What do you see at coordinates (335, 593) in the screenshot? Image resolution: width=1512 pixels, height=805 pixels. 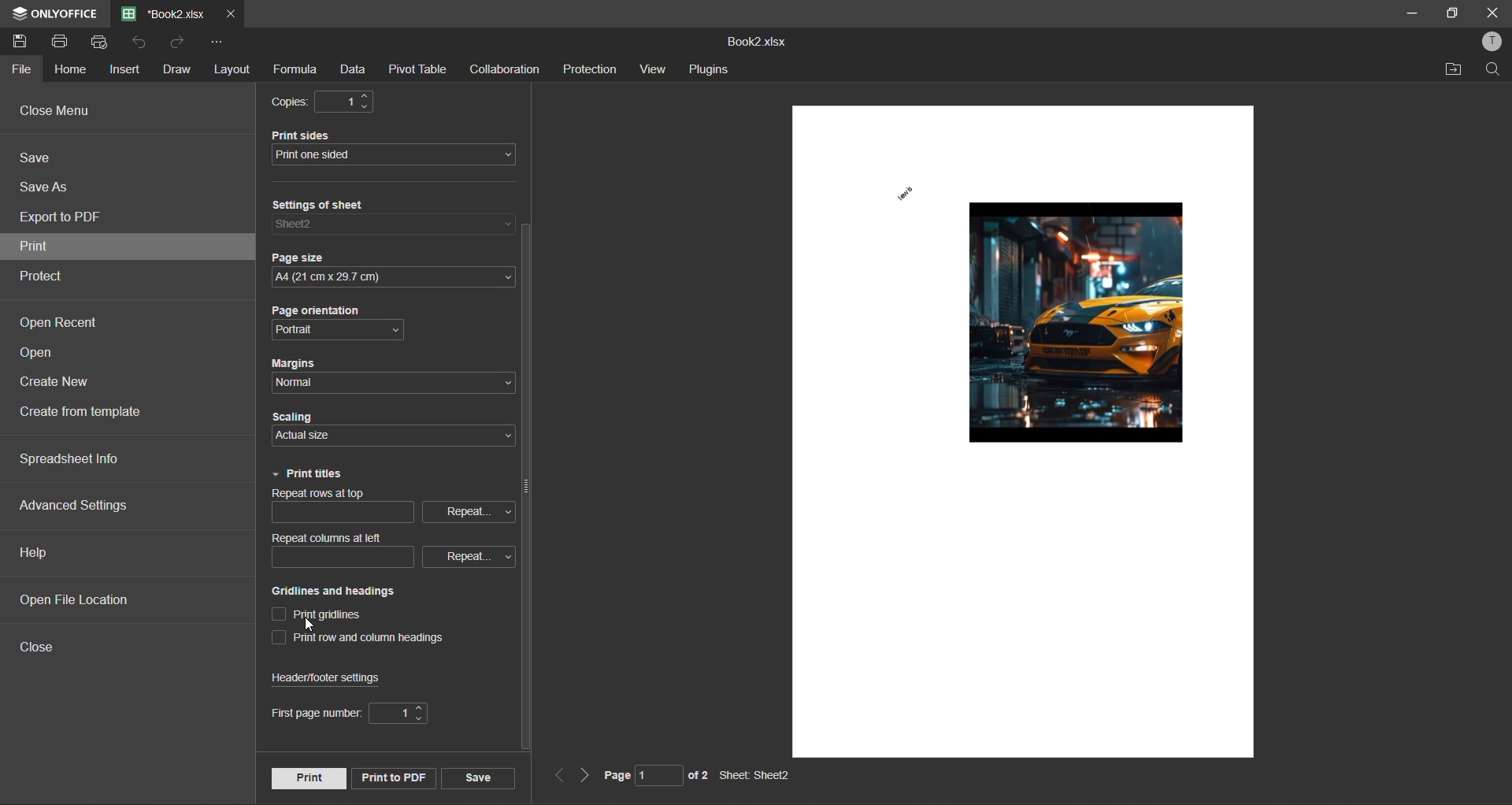 I see `gridlines and headings` at bounding box center [335, 593].